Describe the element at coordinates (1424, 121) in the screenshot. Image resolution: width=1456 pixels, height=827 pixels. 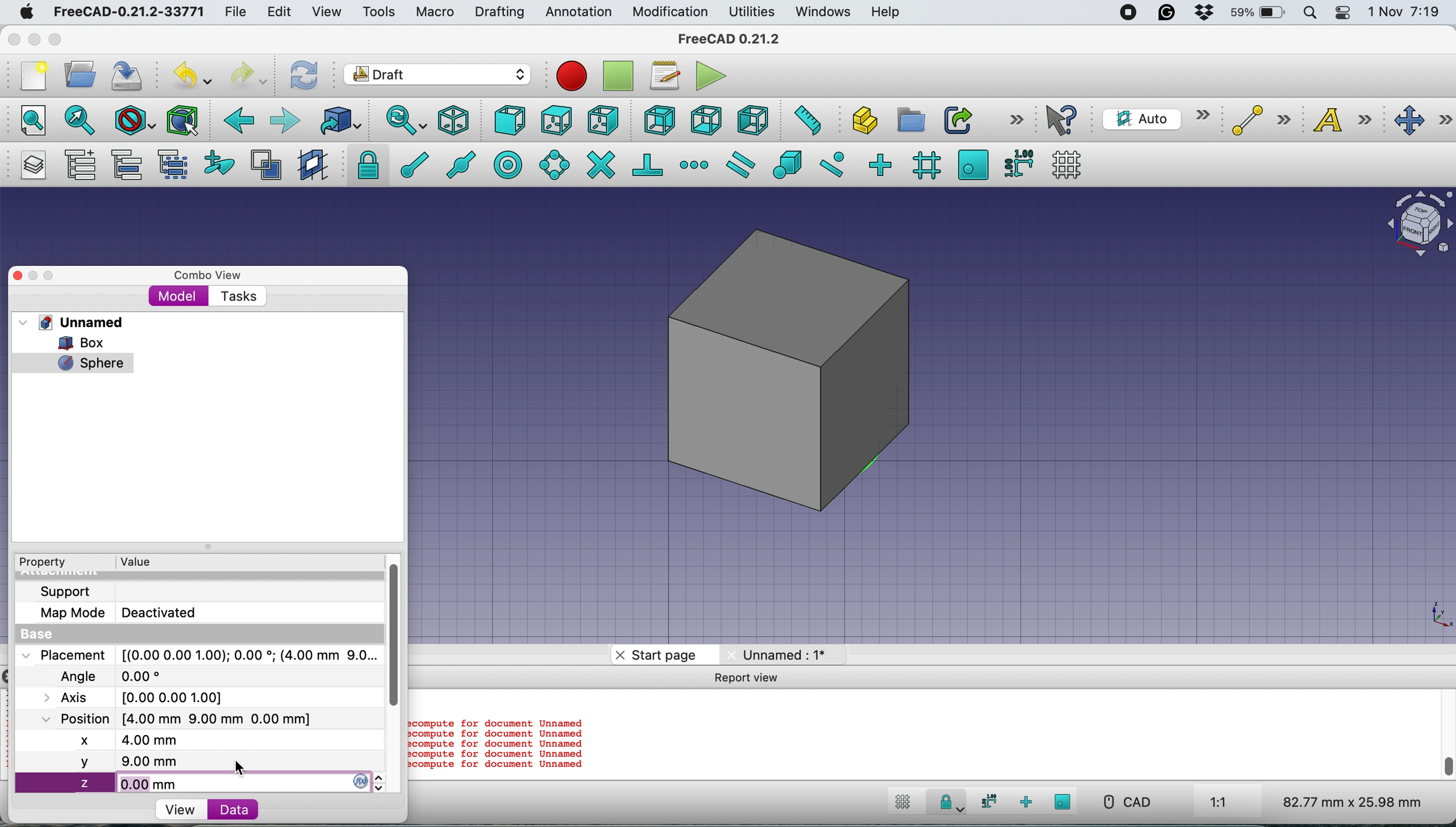
I see `move` at that location.